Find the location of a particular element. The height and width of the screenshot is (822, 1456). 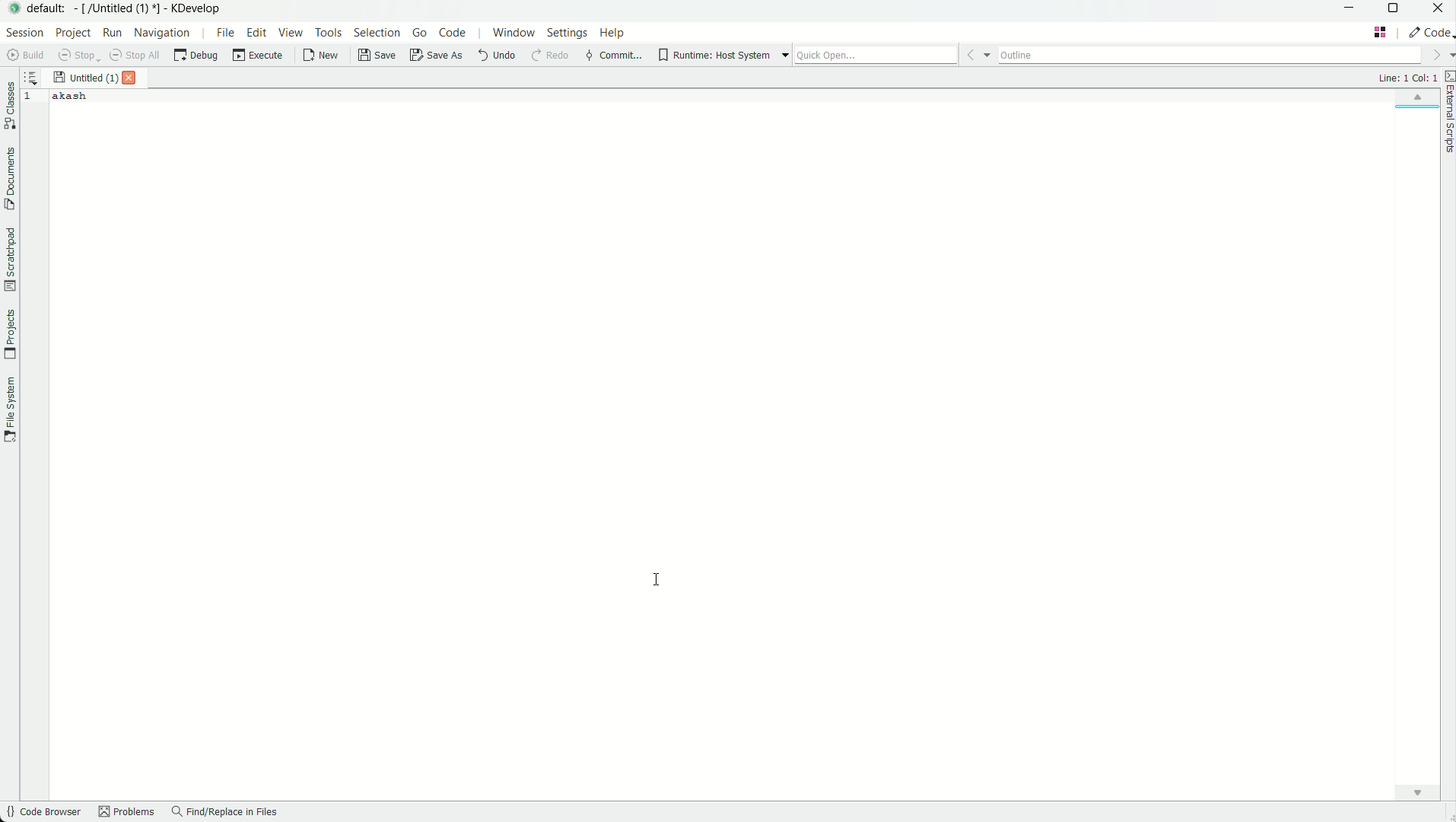

maximize or restore is located at coordinates (1397, 10).